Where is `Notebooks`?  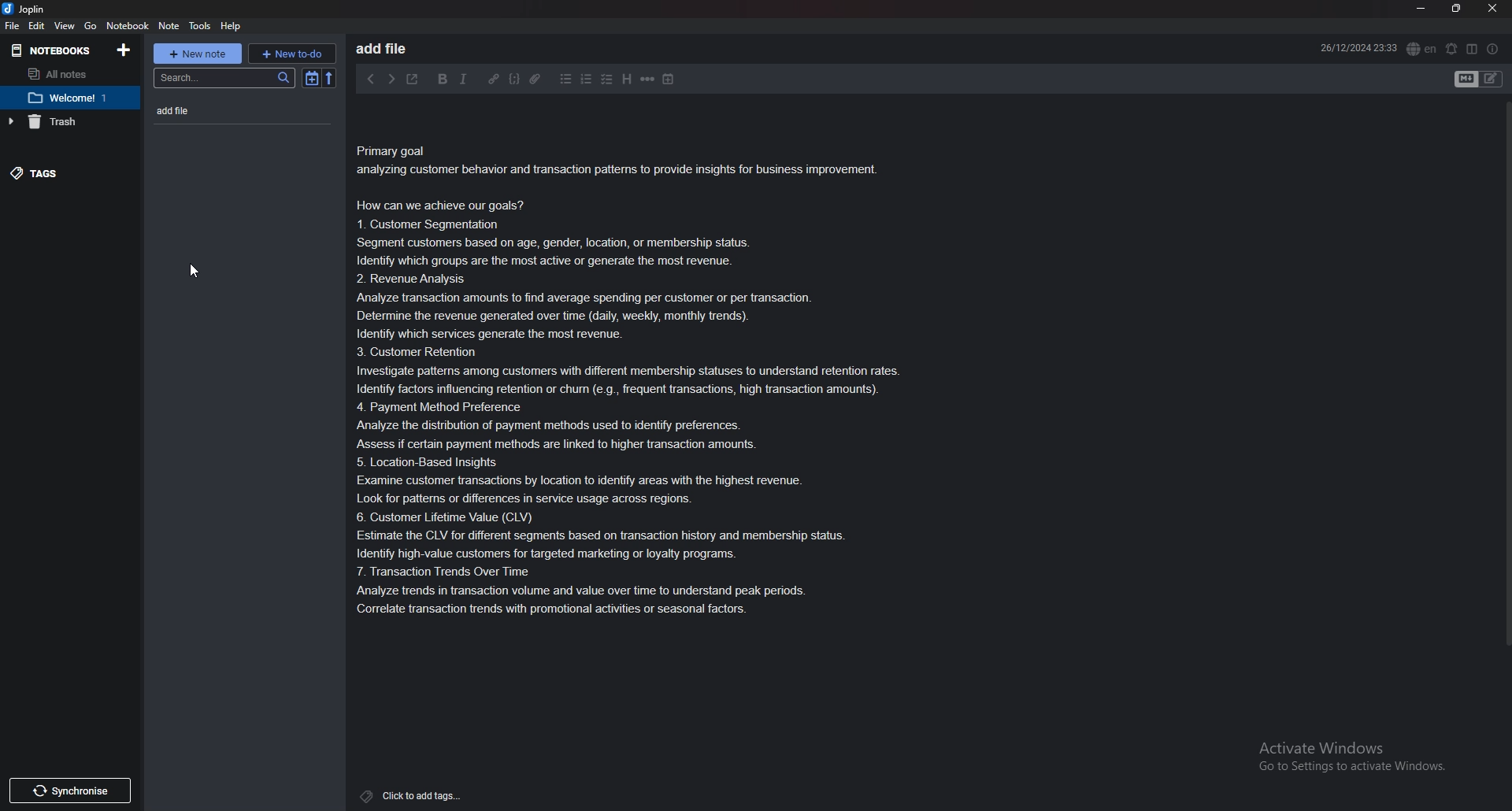 Notebooks is located at coordinates (51, 52).